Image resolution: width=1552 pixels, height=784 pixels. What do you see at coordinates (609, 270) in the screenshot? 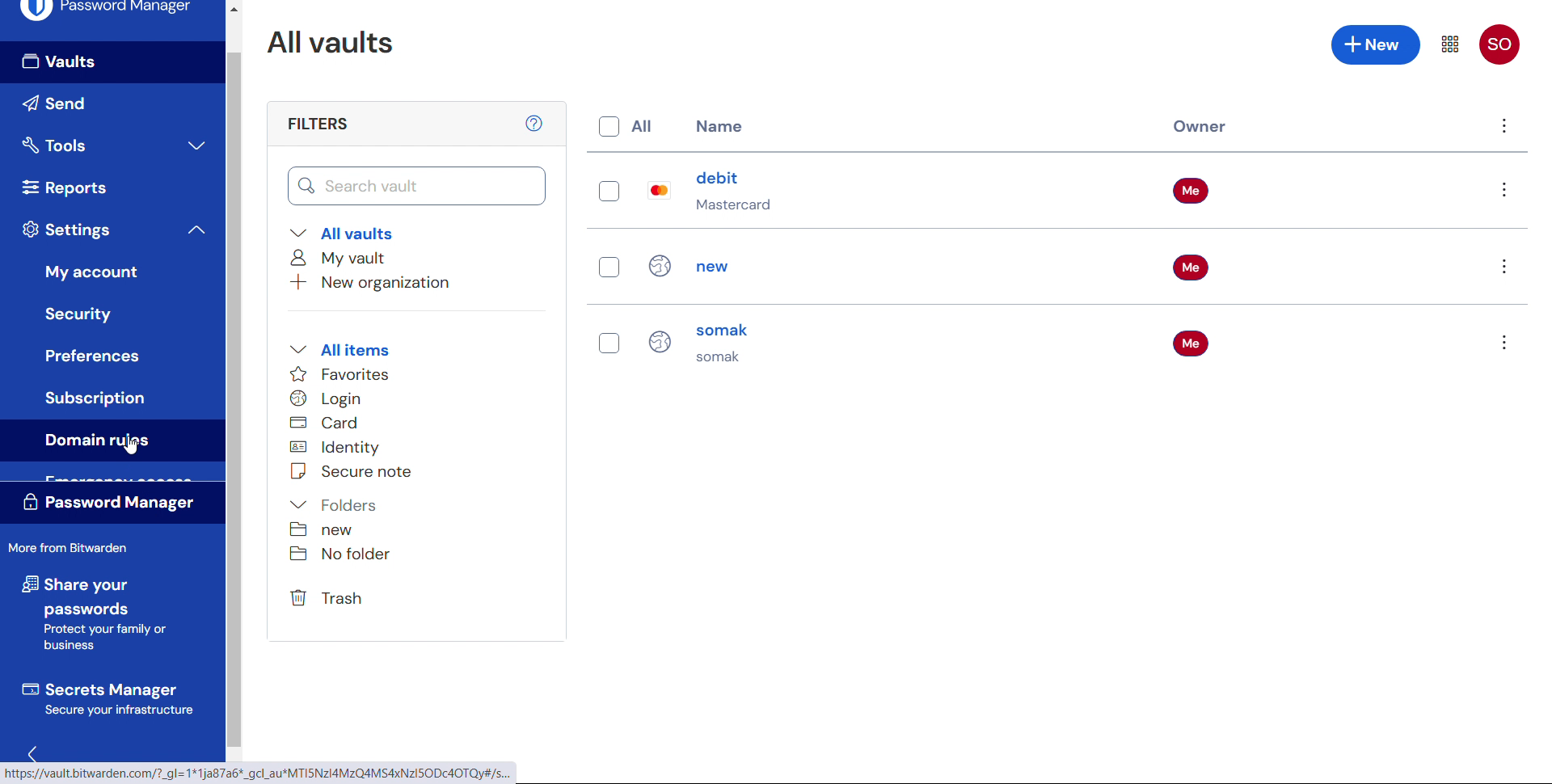
I see `Select individual entries ` at bounding box center [609, 270].